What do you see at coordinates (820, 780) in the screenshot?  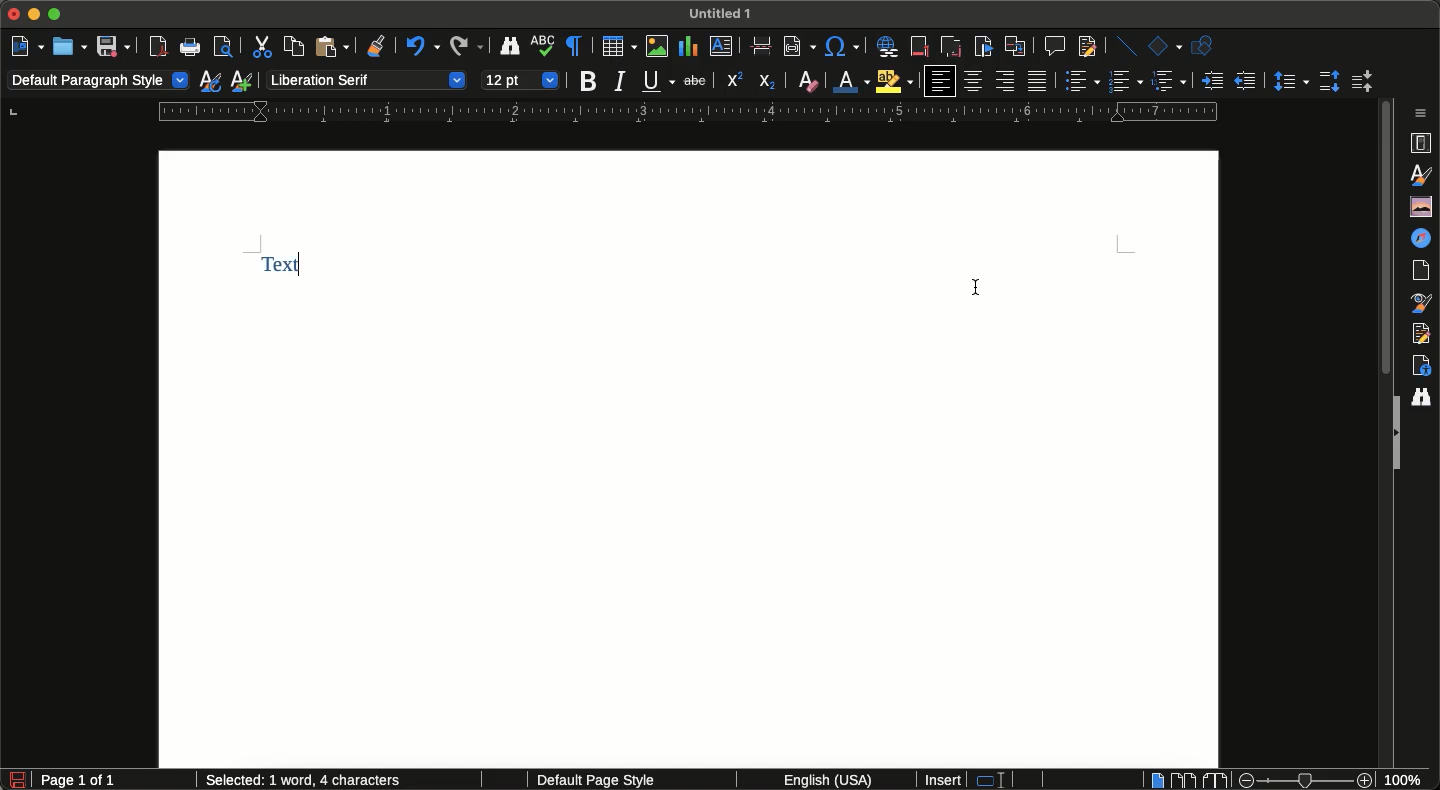 I see `English (USA)` at bounding box center [820, 780].